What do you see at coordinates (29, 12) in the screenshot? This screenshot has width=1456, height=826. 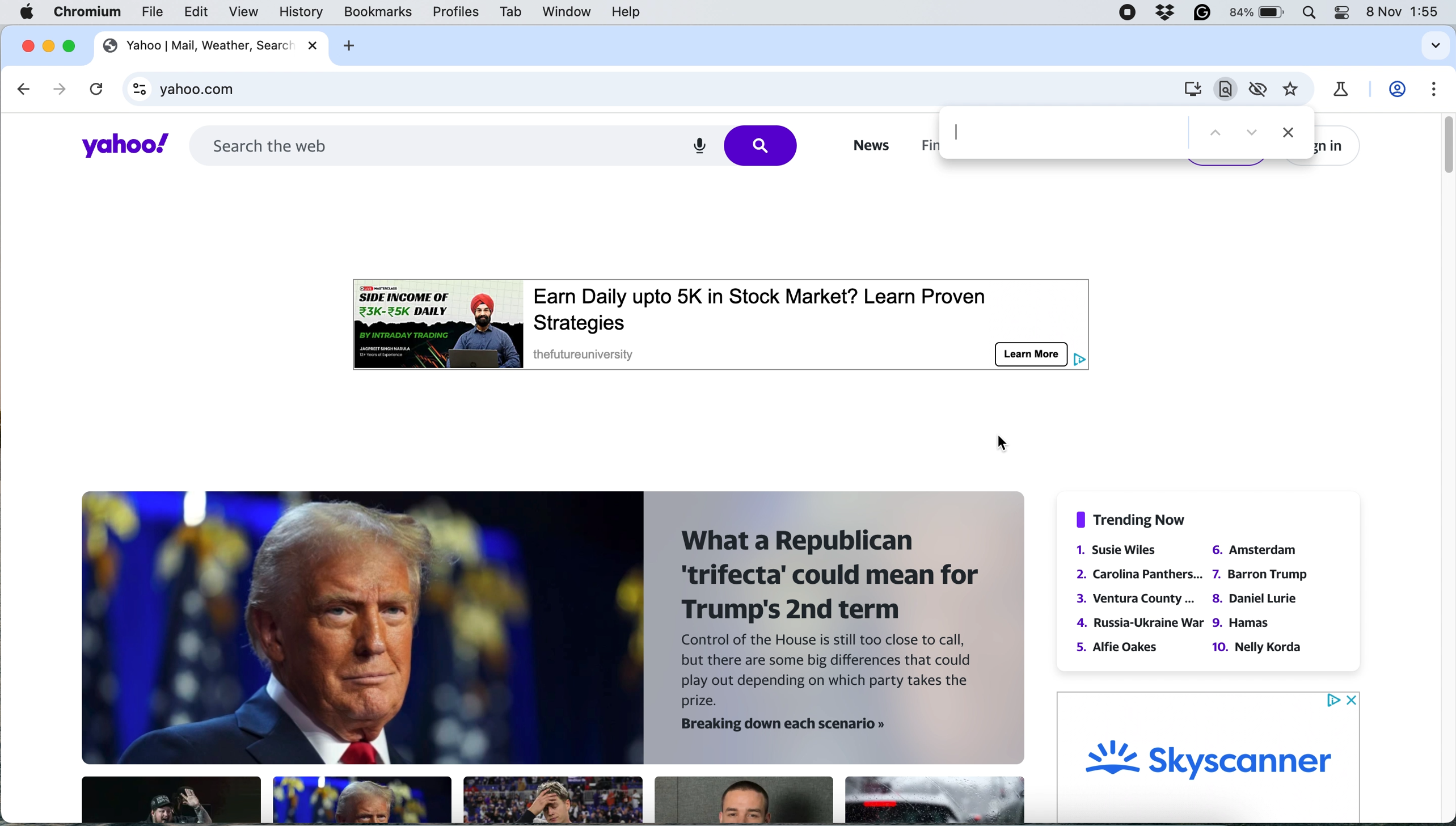 I see `system logo` at bounding box center [29, 12].